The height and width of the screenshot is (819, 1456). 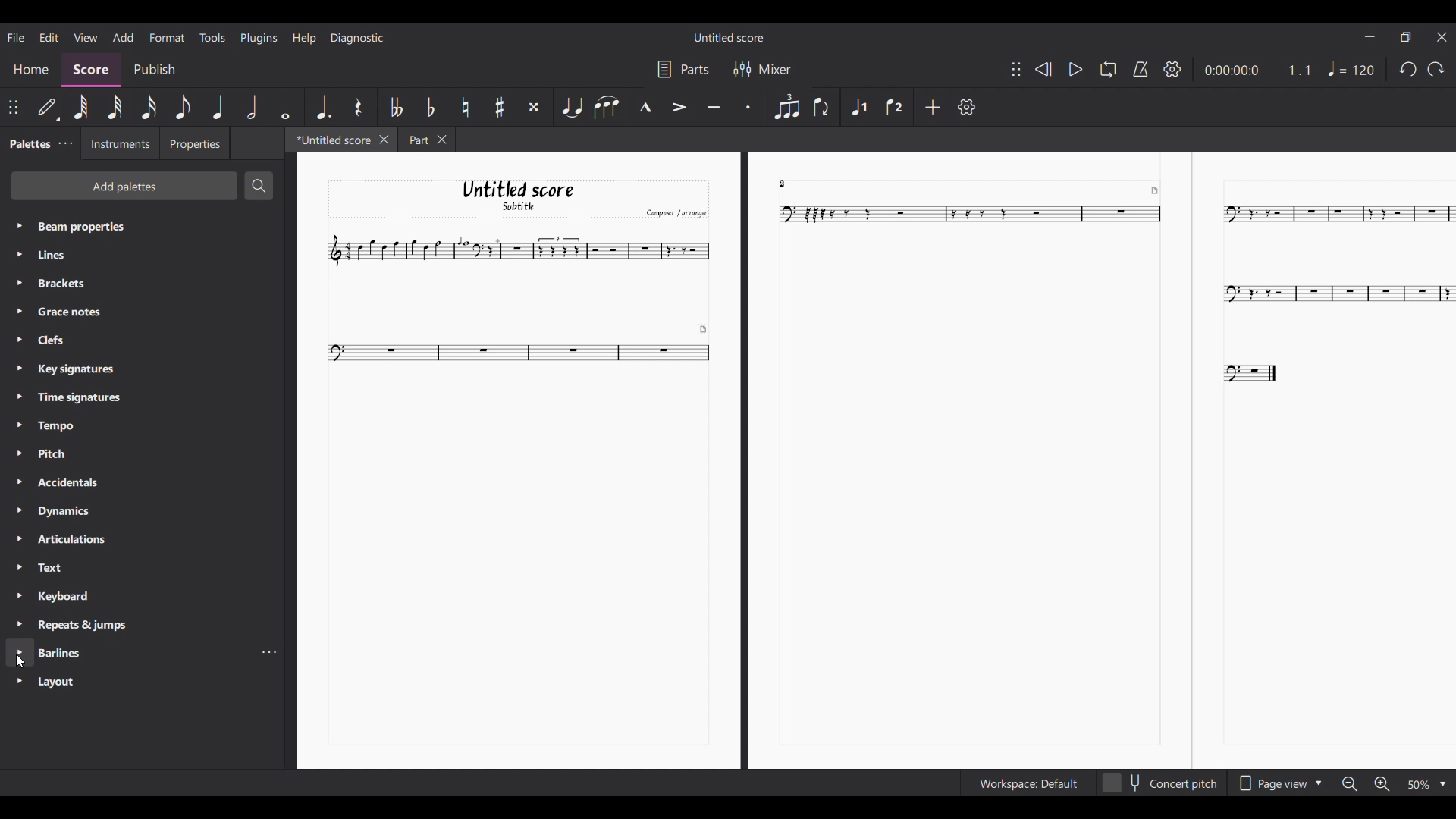 What do you see at coordinates (212, 37) in the screenshot?
I see `Tools menu` at bounding box center [212, 37].